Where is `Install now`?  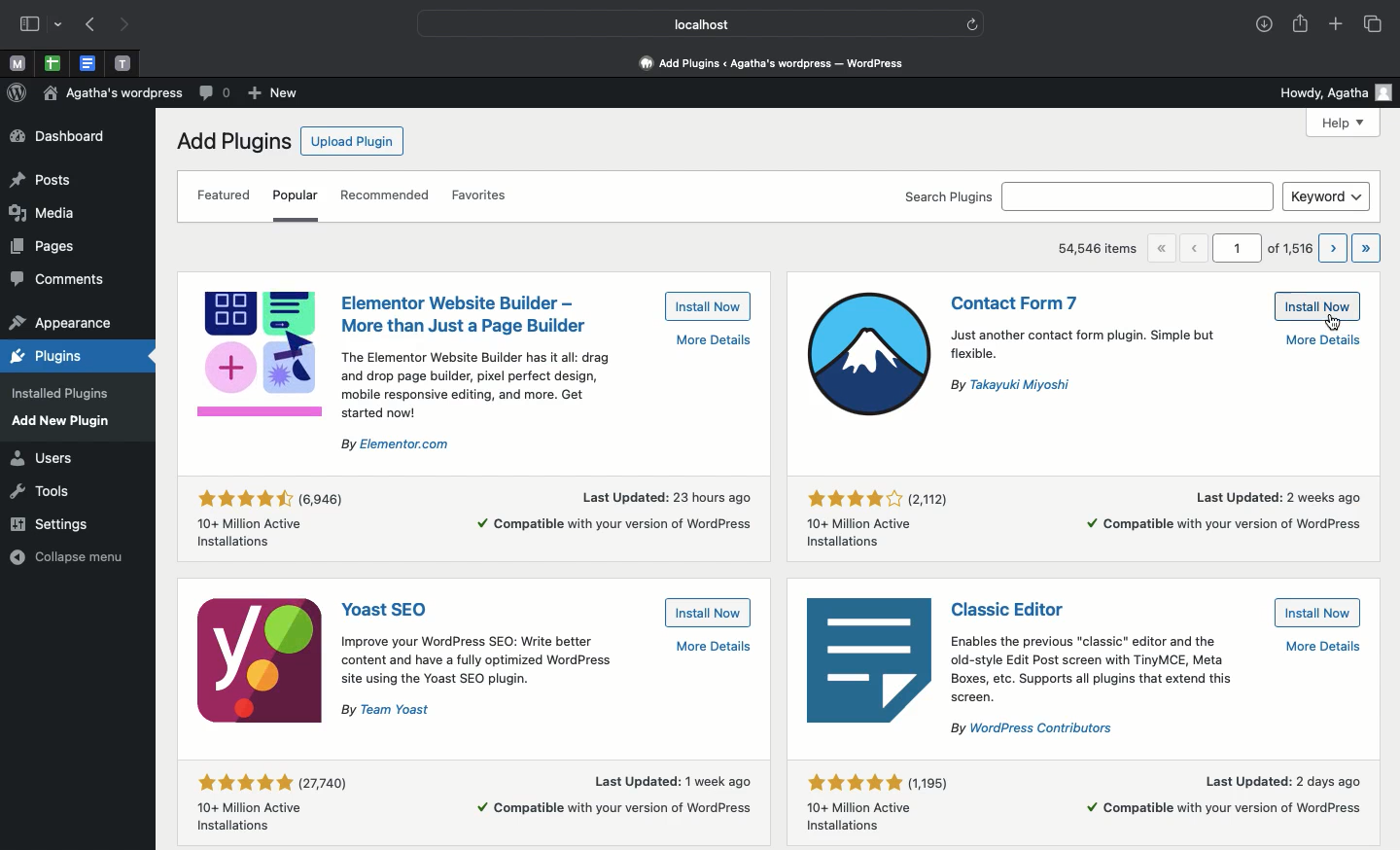 Install now is located at coordinates (709, 305).